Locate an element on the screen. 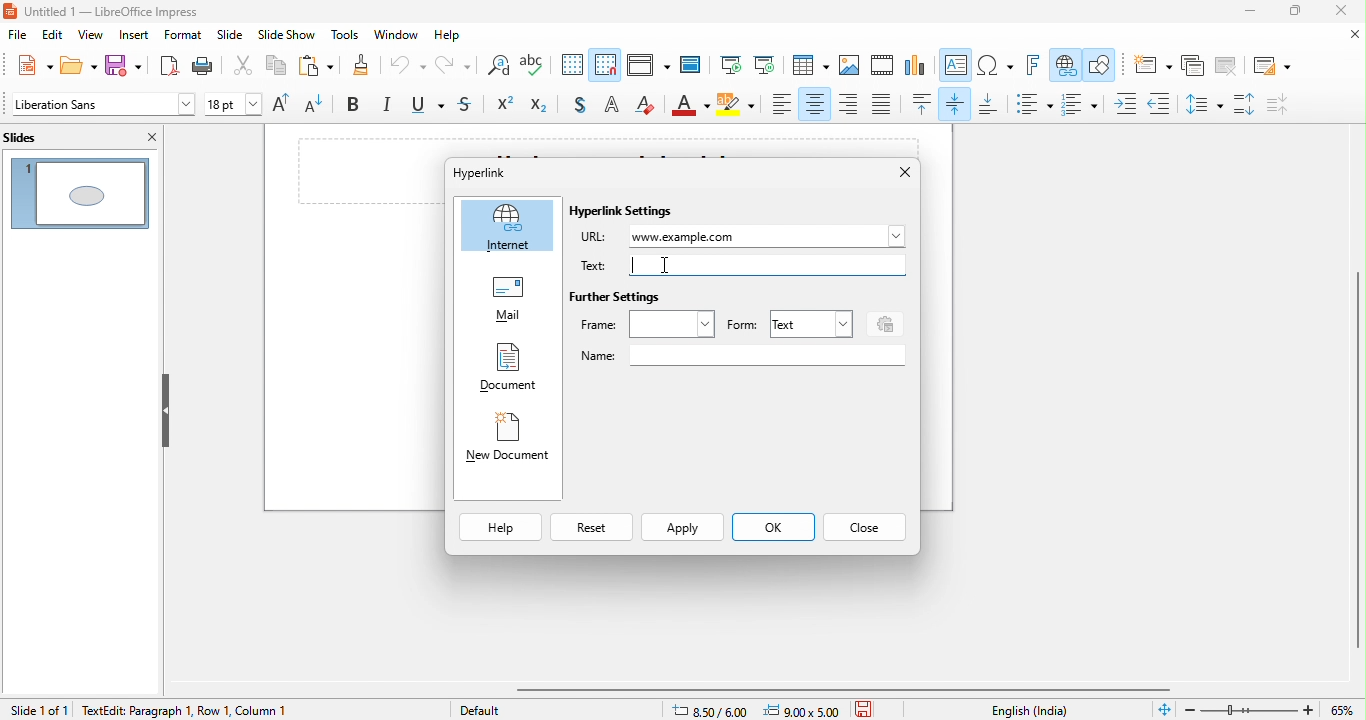  8.50/6.00 is located at coordinates (717, 709).